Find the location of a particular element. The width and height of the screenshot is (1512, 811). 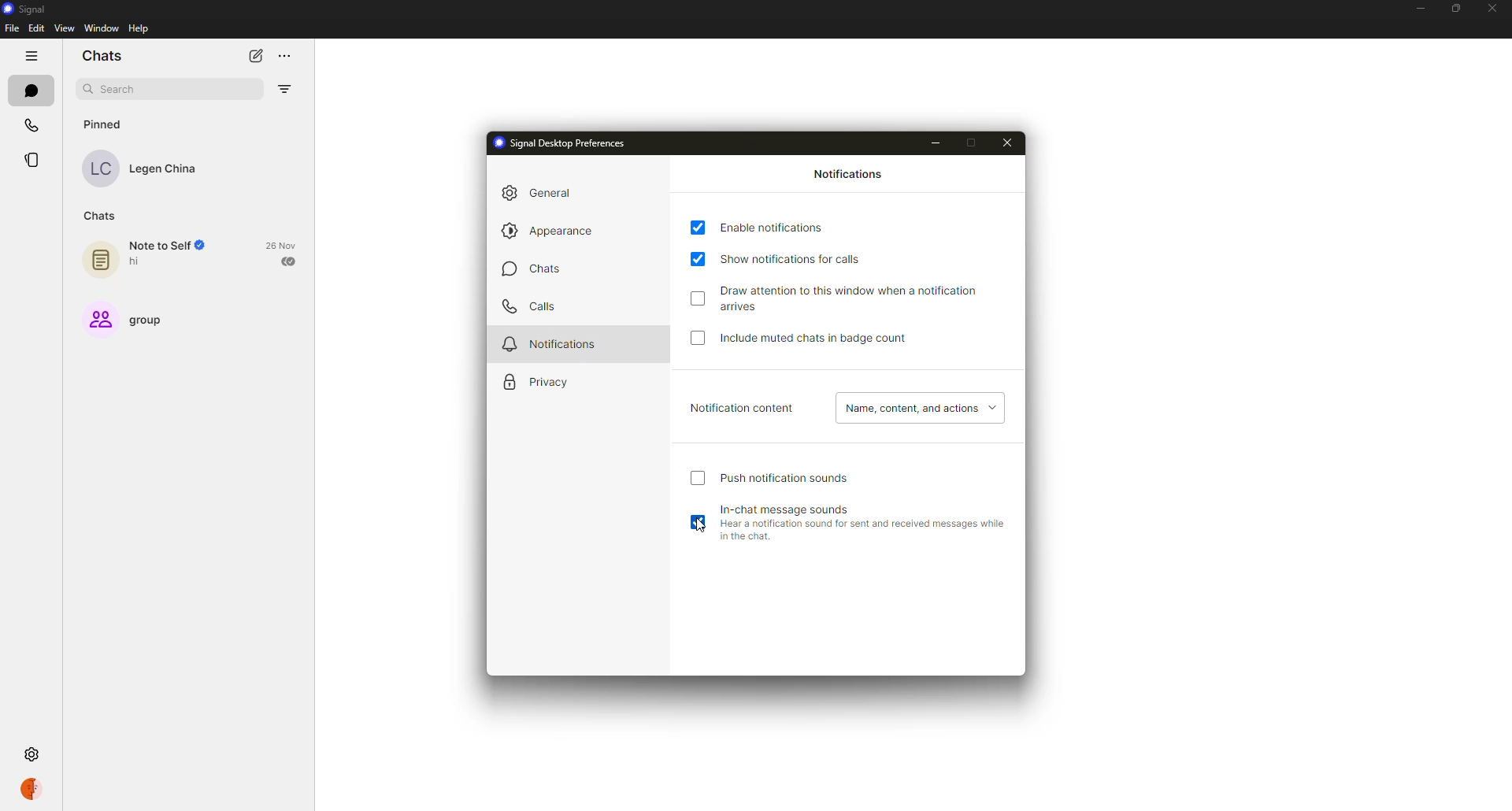

push notification sound is located at coordinates (785, 479).